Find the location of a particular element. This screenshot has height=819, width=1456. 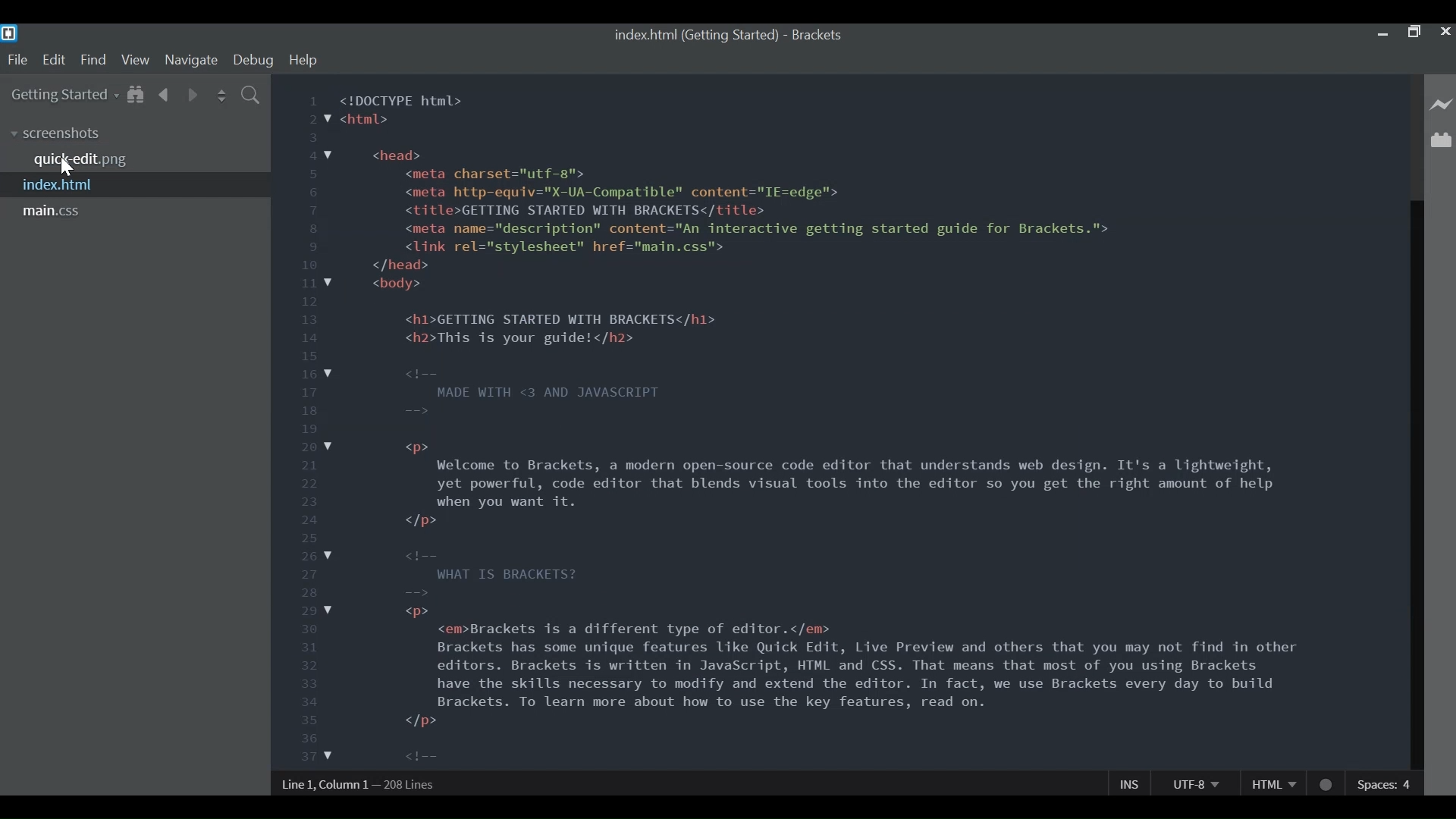

Vertical Scroll bar is located at coordinates (1414, 485).